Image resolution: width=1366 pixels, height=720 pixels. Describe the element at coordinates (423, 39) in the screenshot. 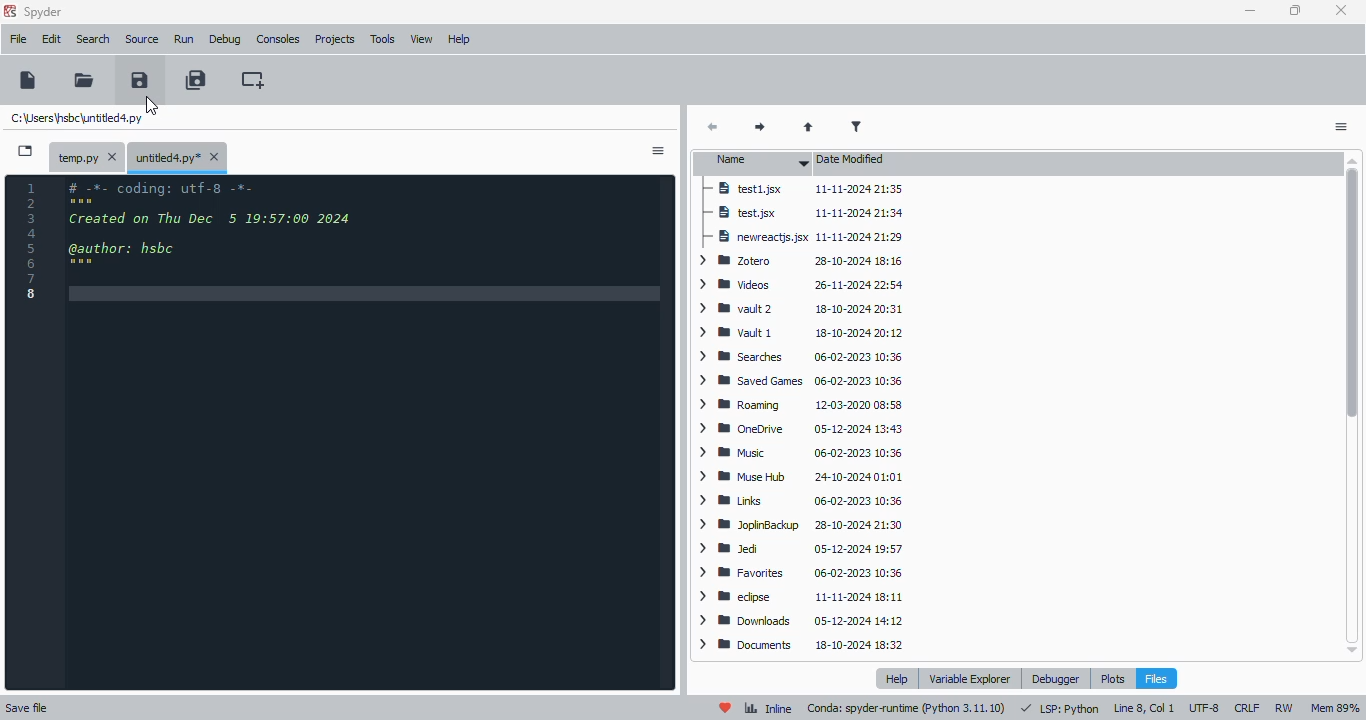

I see `view` at that location.